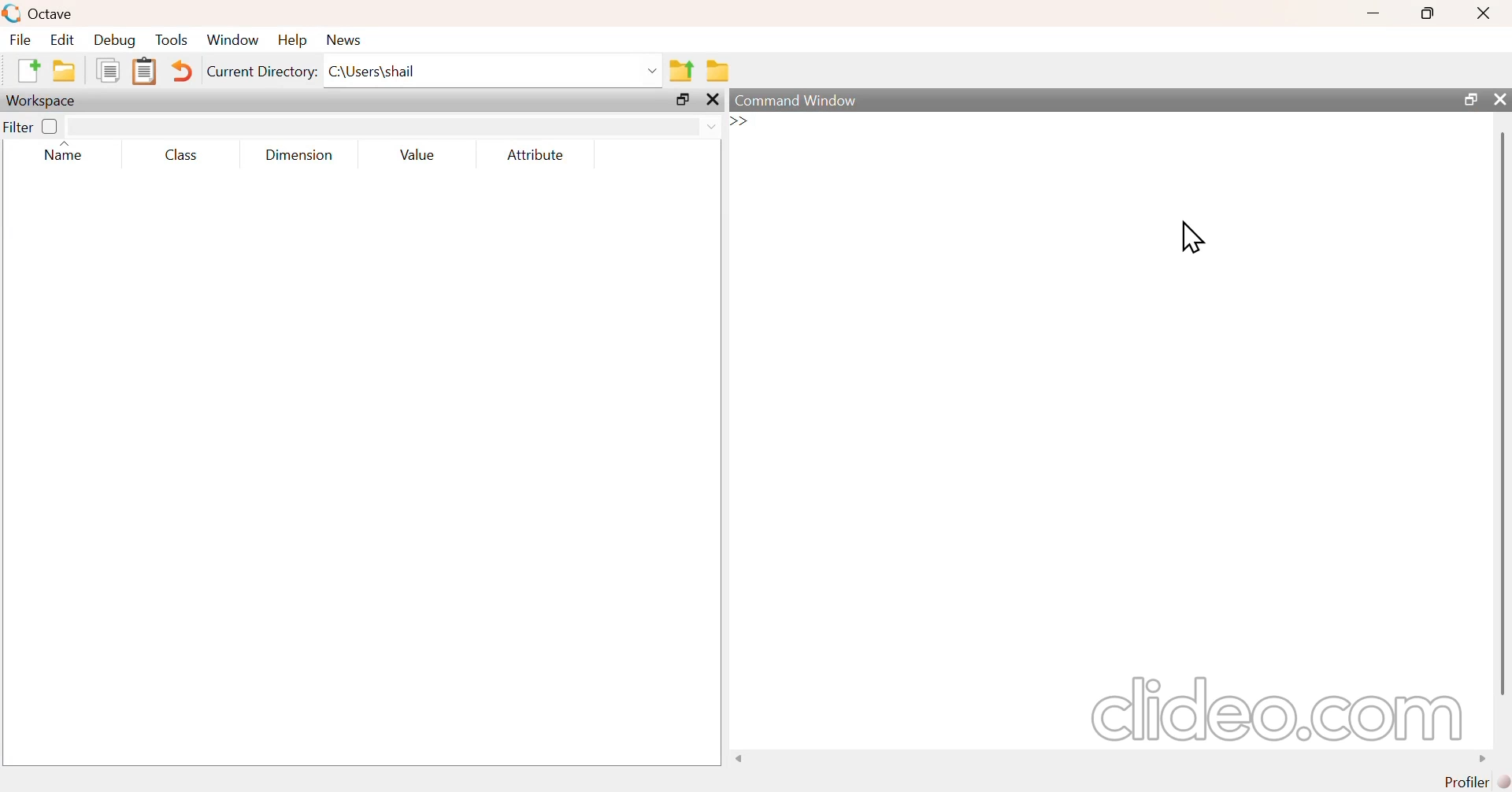 This screenshot has height=792, width=1512. Describe the element at coordinates (1480, 782) in the screenshot. I see `profiler` at that location.